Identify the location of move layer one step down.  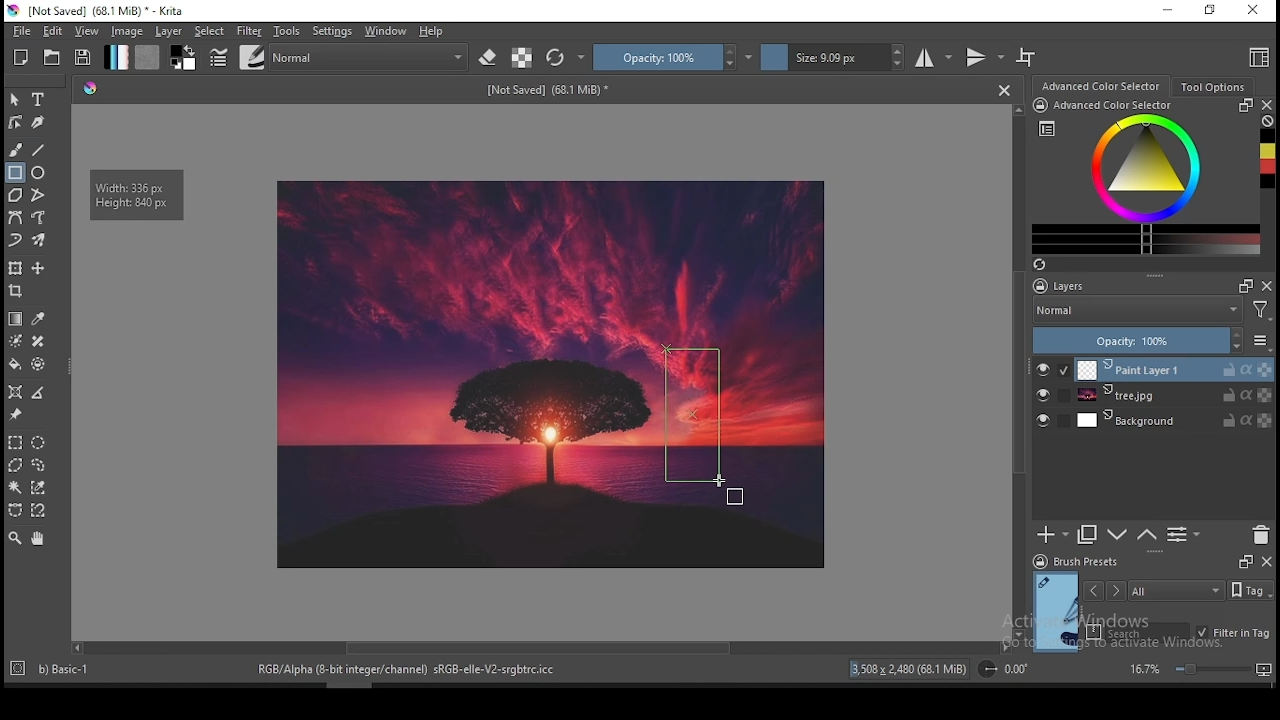
(1116, 535).